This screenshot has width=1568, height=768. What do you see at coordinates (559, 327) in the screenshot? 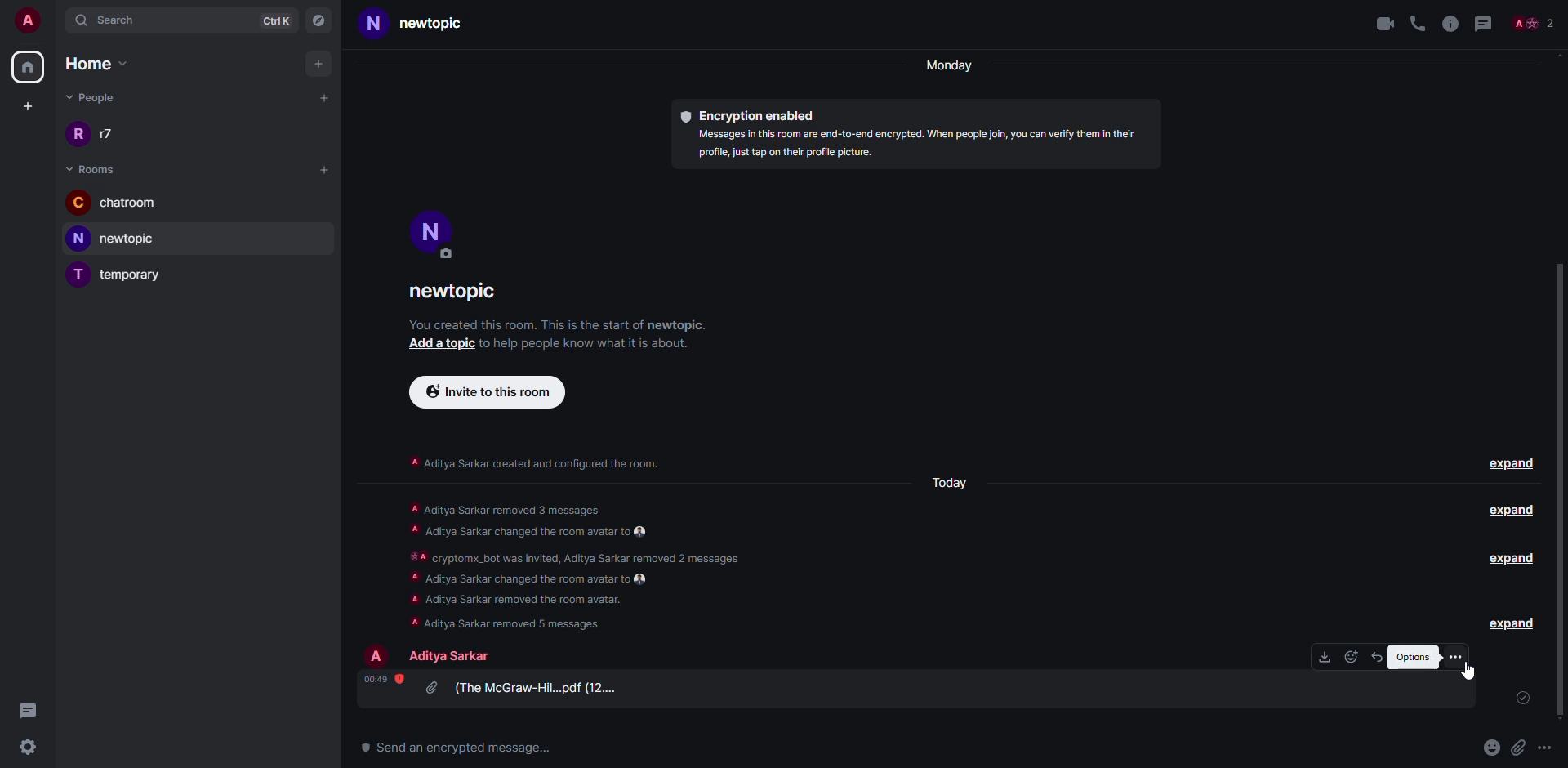
I see `info` at bounding box center [559, 327].